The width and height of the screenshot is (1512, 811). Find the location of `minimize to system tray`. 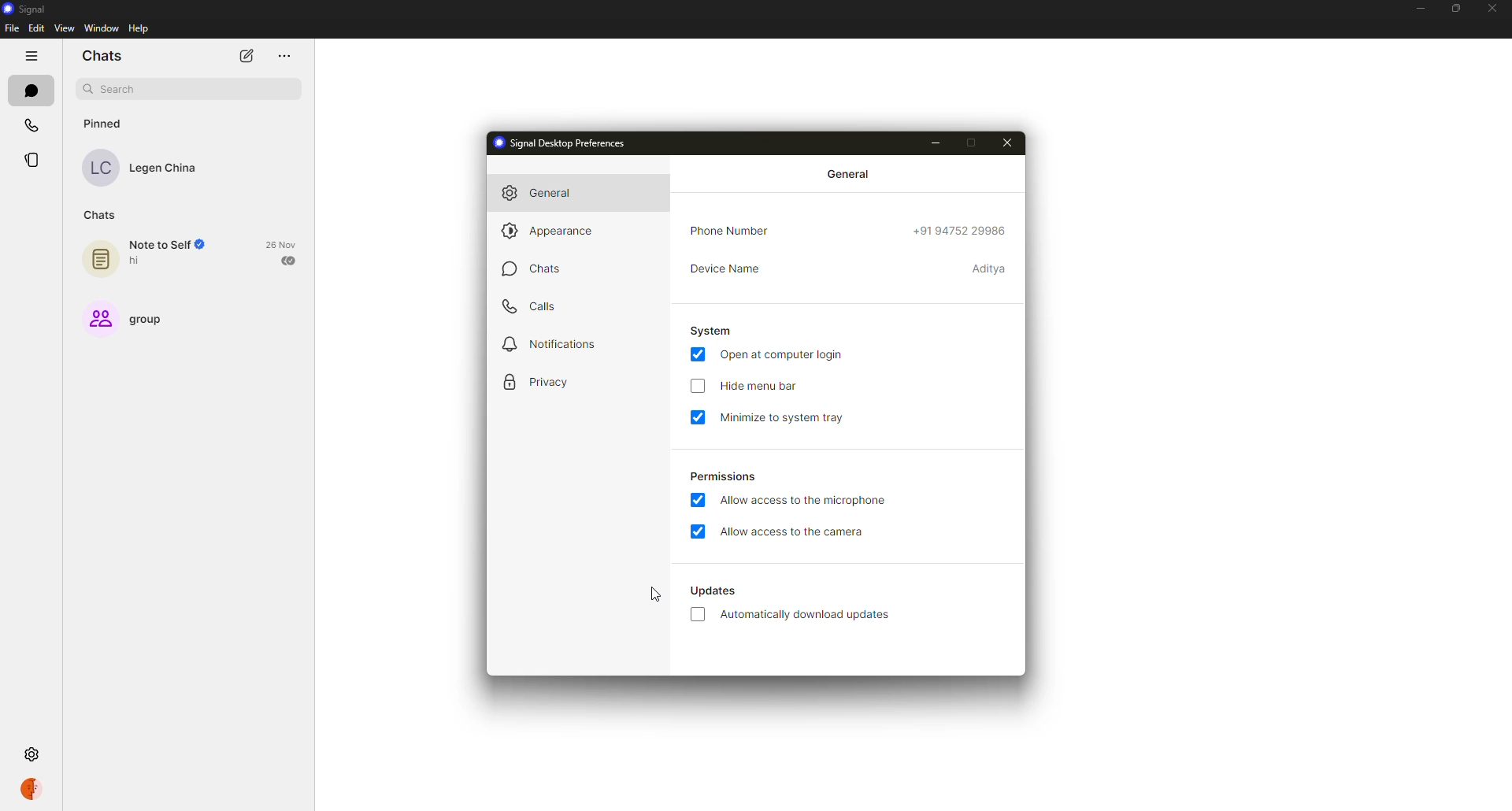

minimize to system tray is located at coordinates (784, 420).